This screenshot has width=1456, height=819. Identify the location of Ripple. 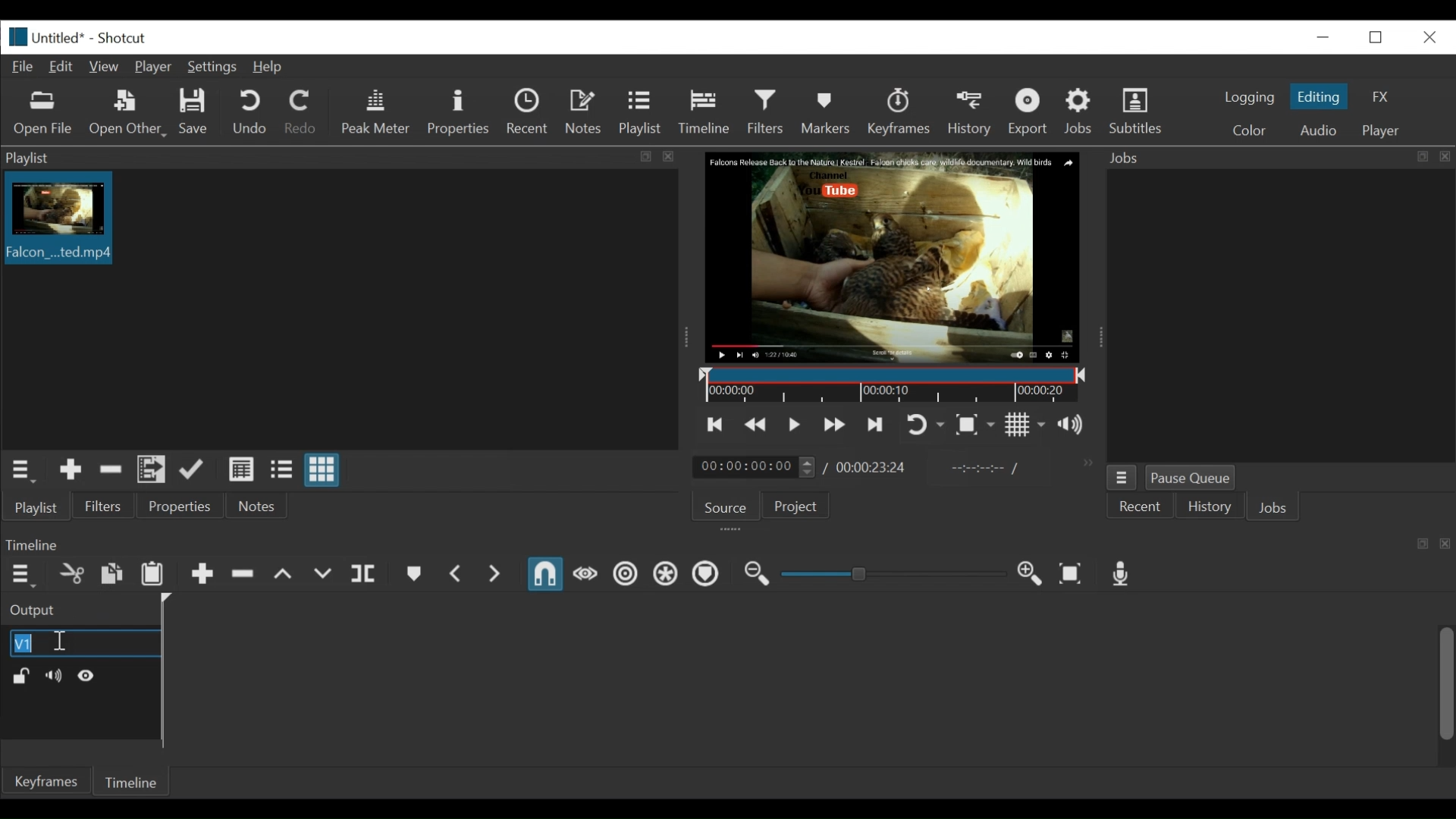
(626, 575).